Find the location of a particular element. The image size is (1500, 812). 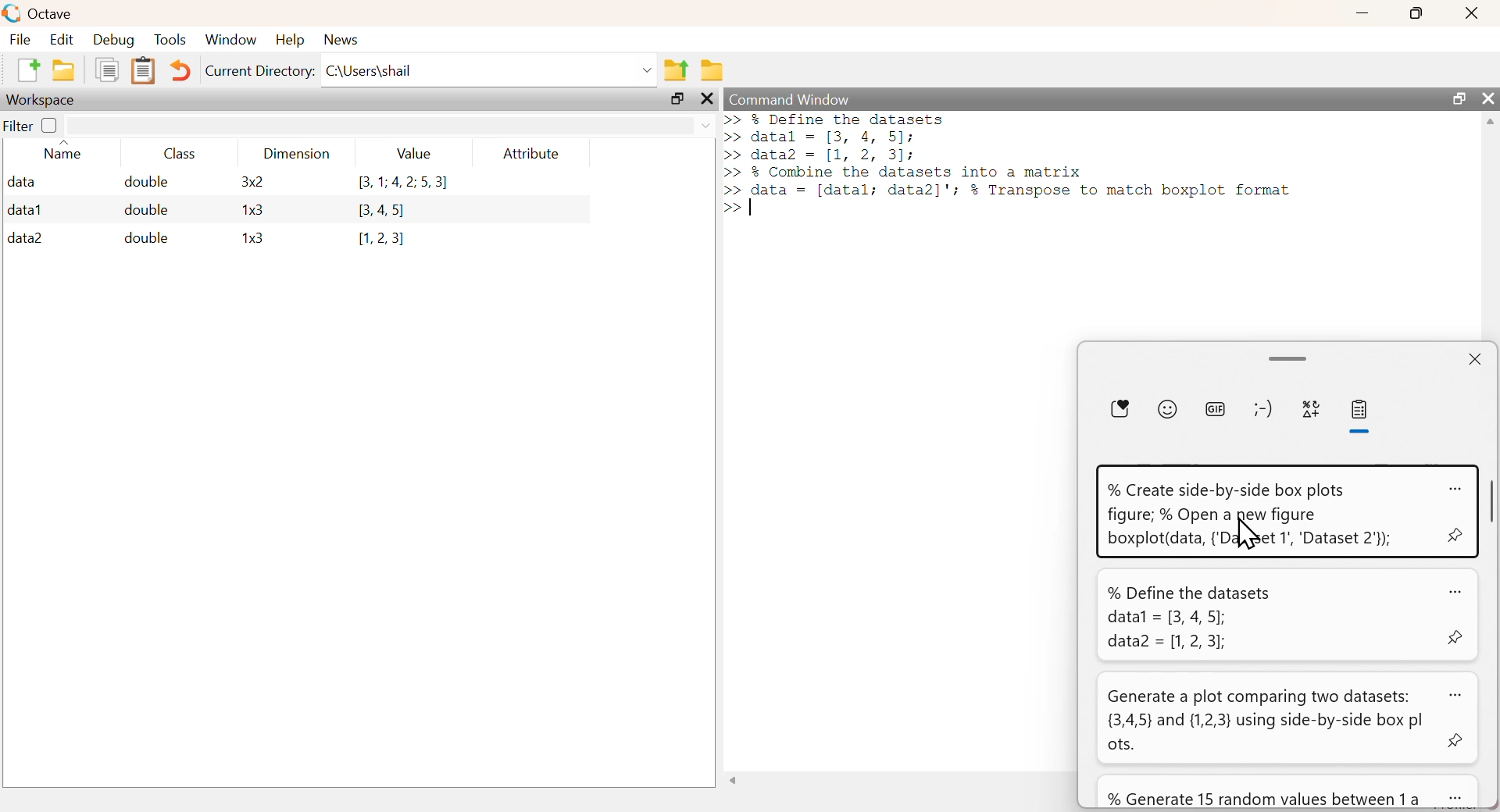

New File is located at coordinates (27, 69).